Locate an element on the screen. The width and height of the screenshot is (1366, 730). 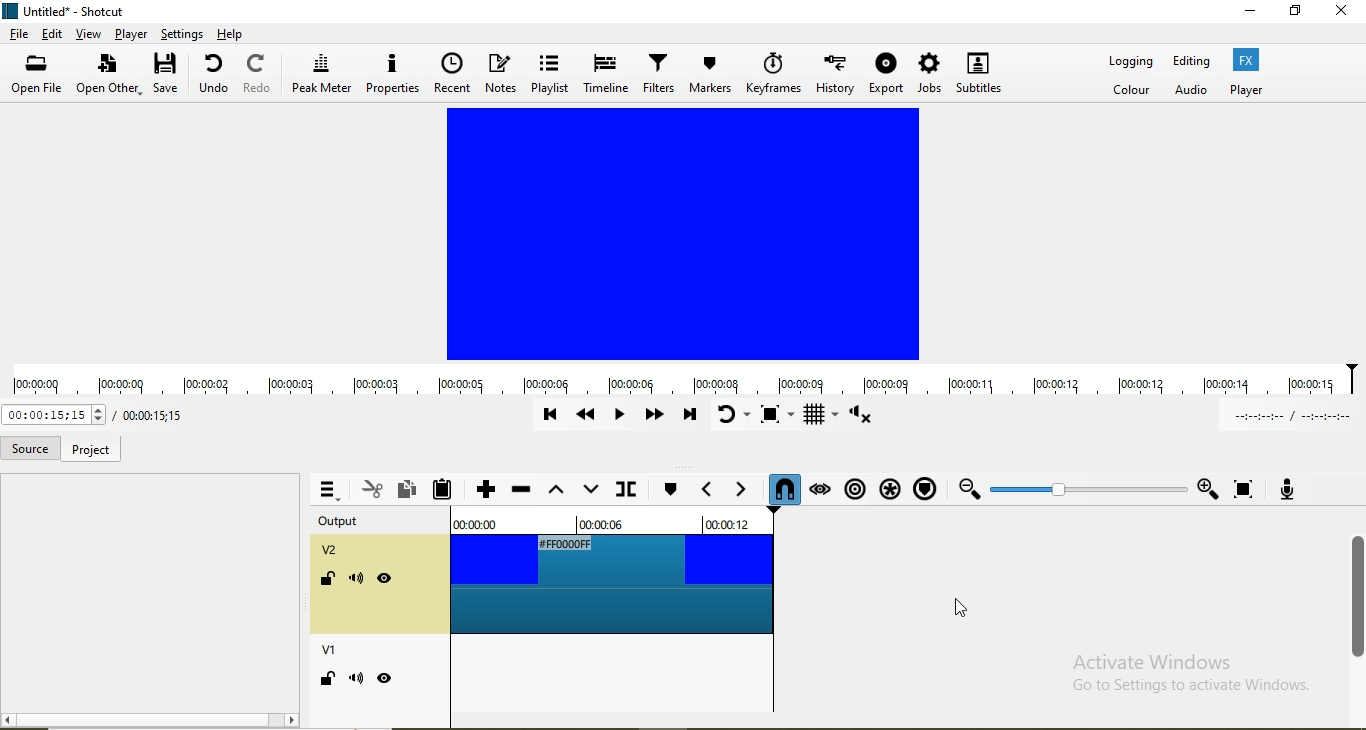
Append is located at coordinates (485, 491).